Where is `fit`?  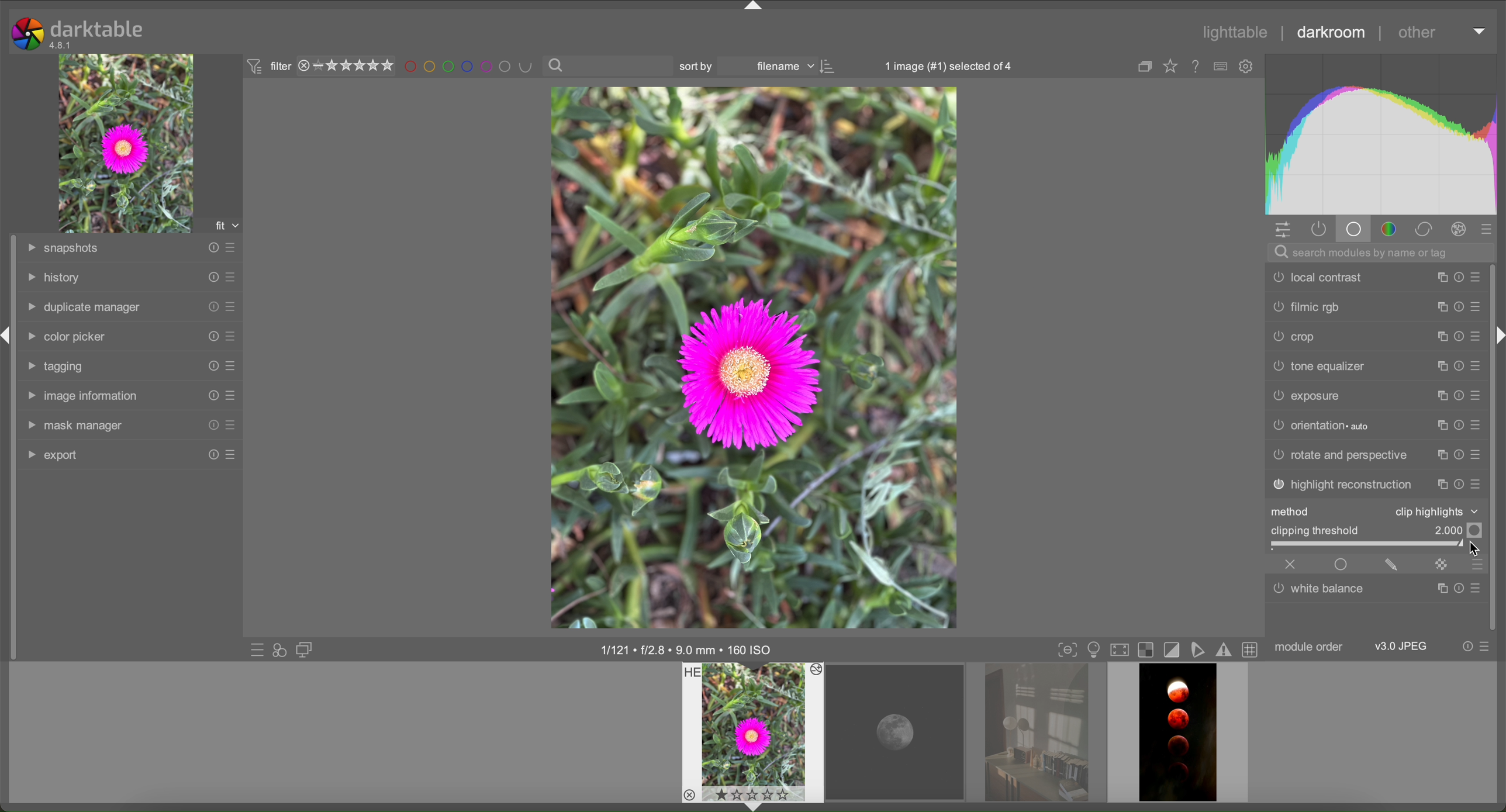
fit is located at coordinates (225, 223).